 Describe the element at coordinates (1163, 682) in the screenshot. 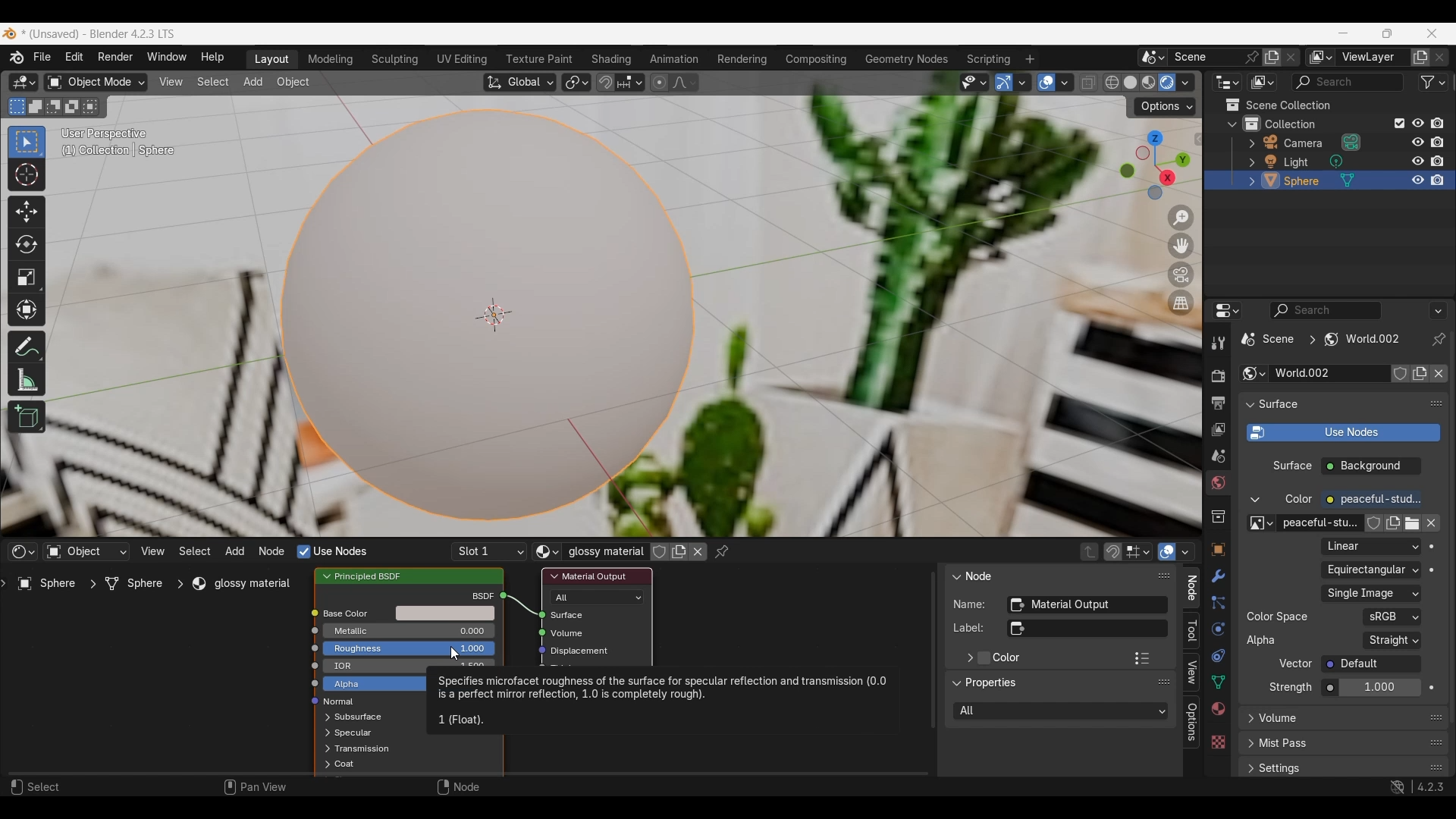

I see `Float panel` at that location.